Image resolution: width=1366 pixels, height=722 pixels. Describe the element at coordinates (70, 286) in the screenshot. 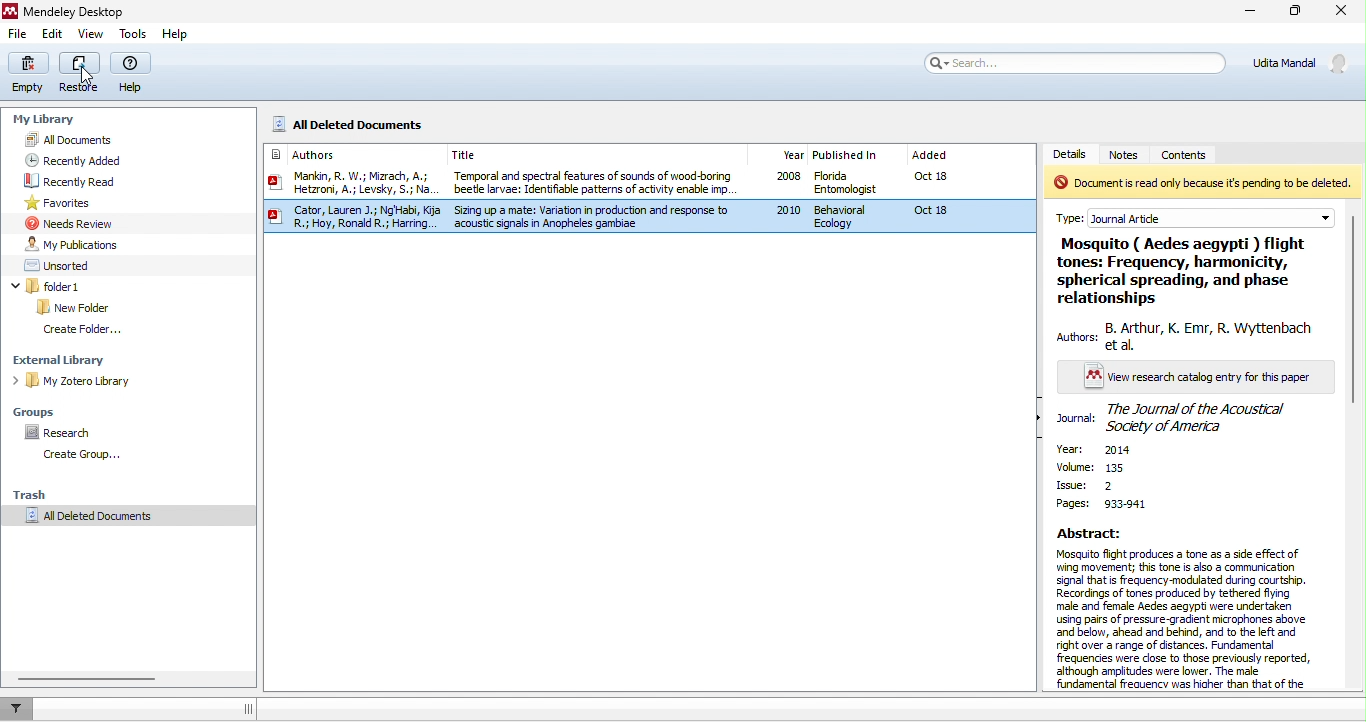

I see `folder1` at that location.